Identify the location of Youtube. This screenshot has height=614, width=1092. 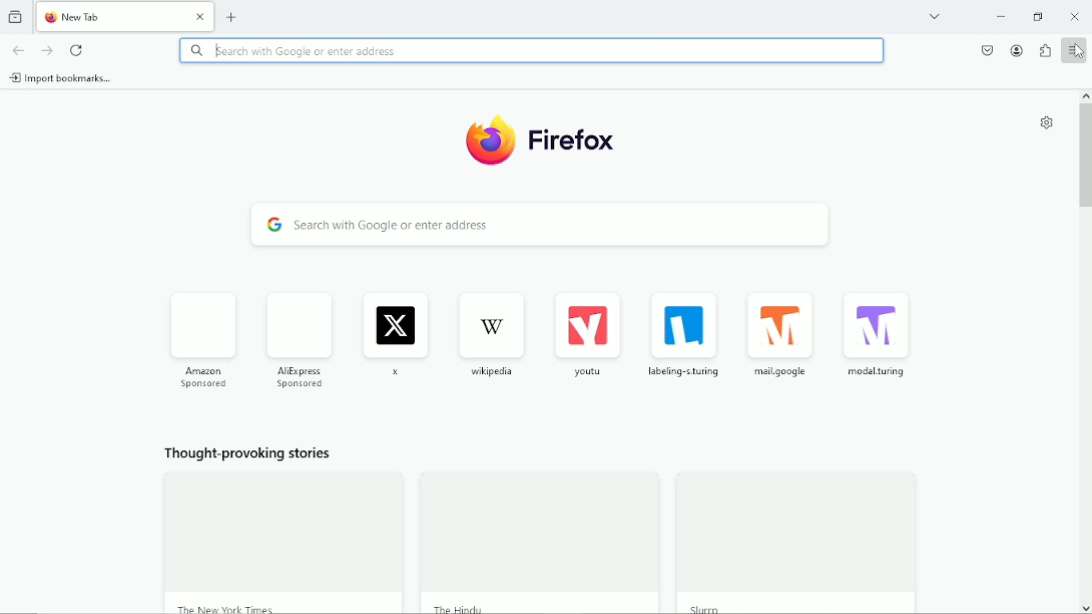
(589, 336).